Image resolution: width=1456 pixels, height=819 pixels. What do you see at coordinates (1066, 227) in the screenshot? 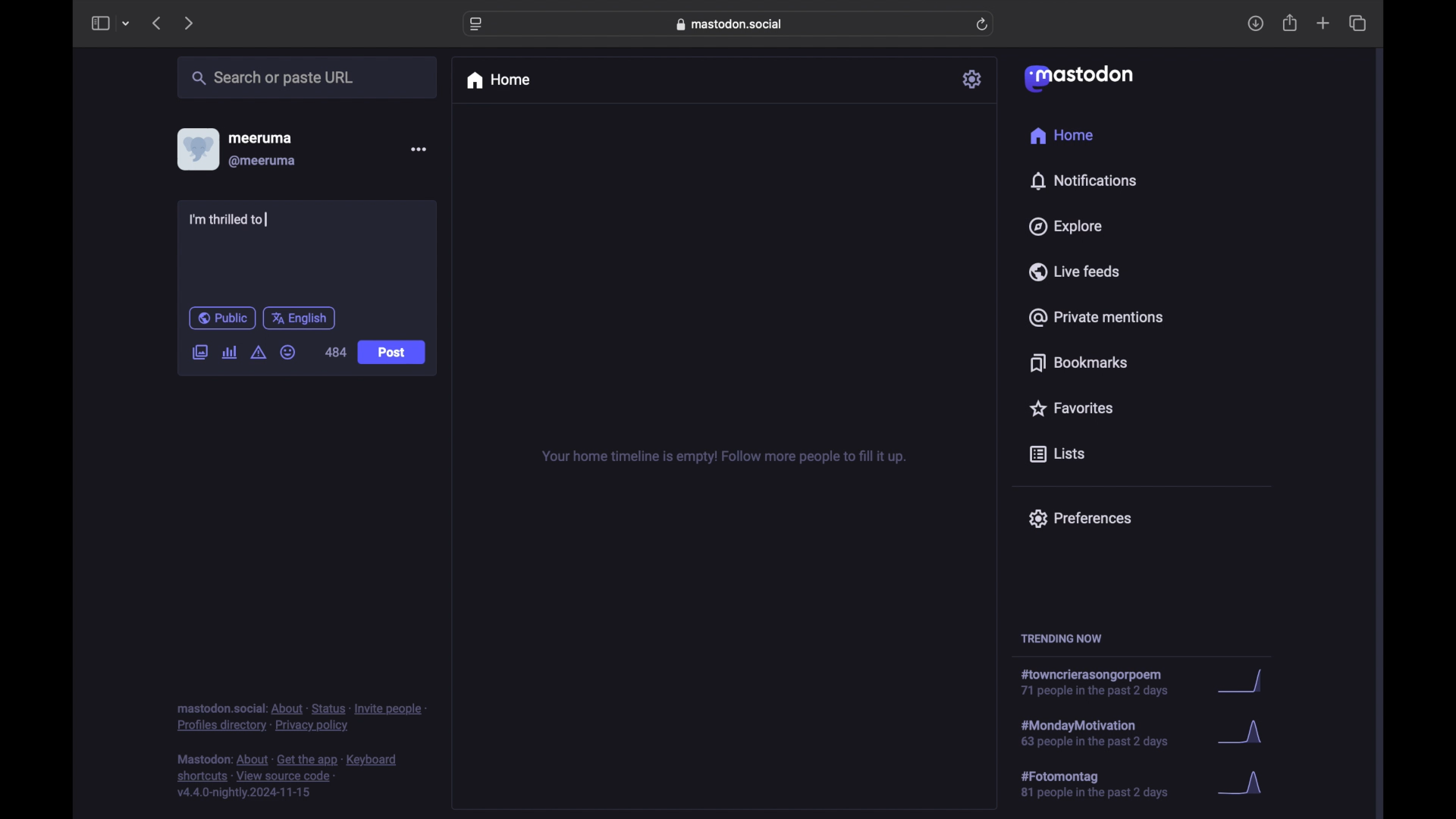
I see `explore` at bounding box center [1066, 227].